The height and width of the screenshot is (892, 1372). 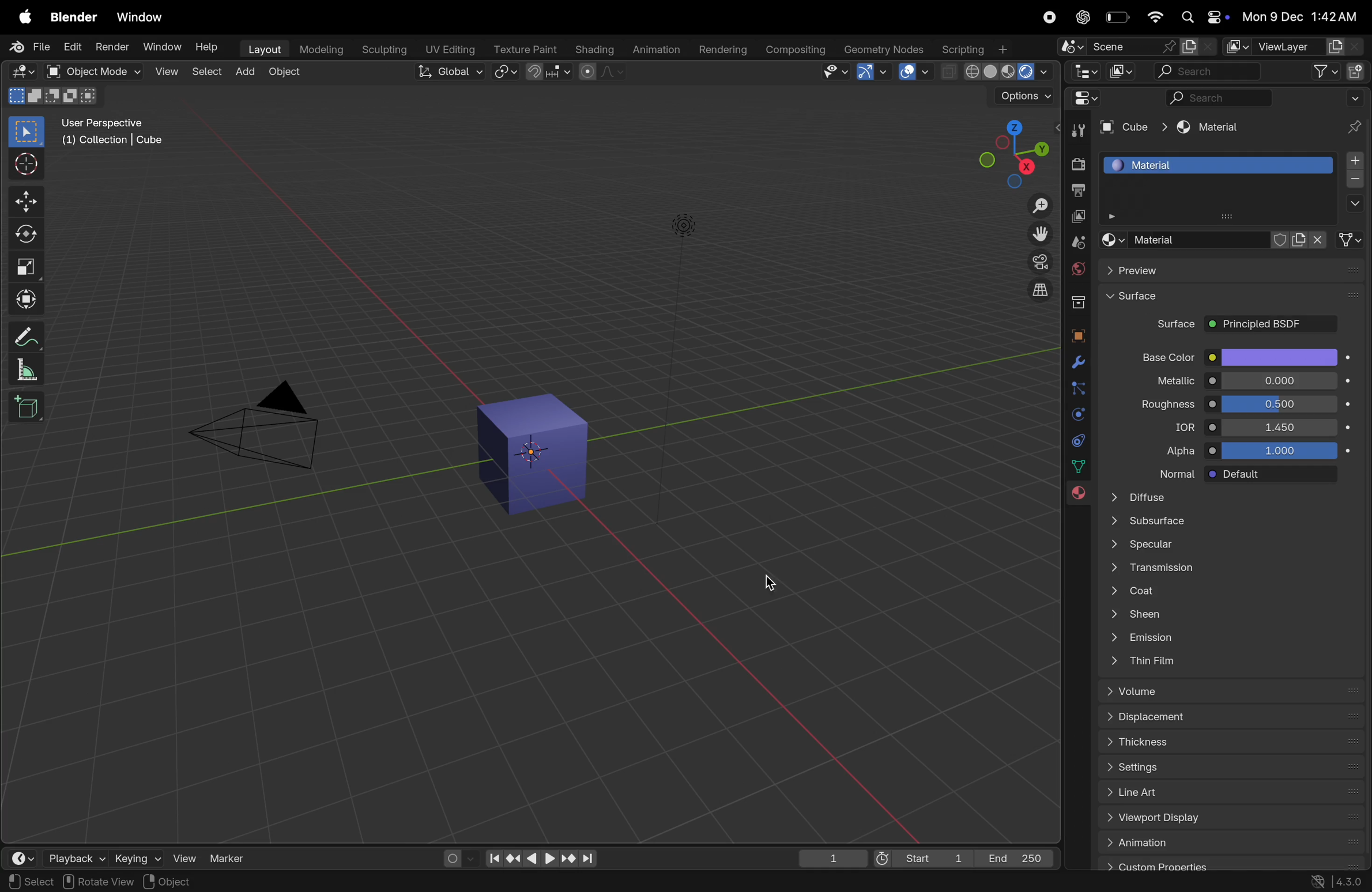 What do you see at coordinates (527, 49) in the screenshot?
I see `Texture paint` at bounding box center [527, 49].